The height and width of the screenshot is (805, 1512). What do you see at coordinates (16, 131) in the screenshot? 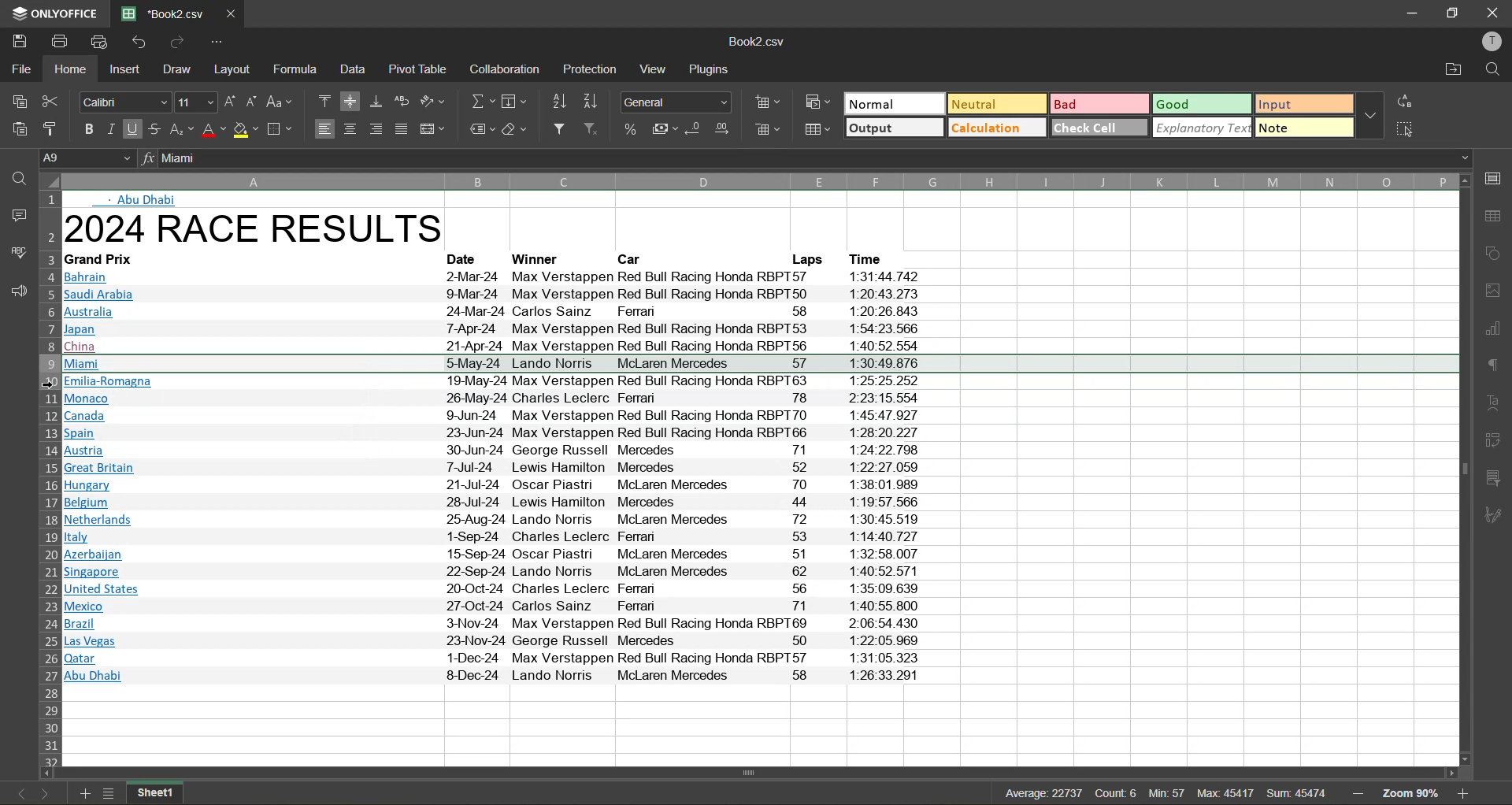
I see `paste` at bounding box center [16, 131].